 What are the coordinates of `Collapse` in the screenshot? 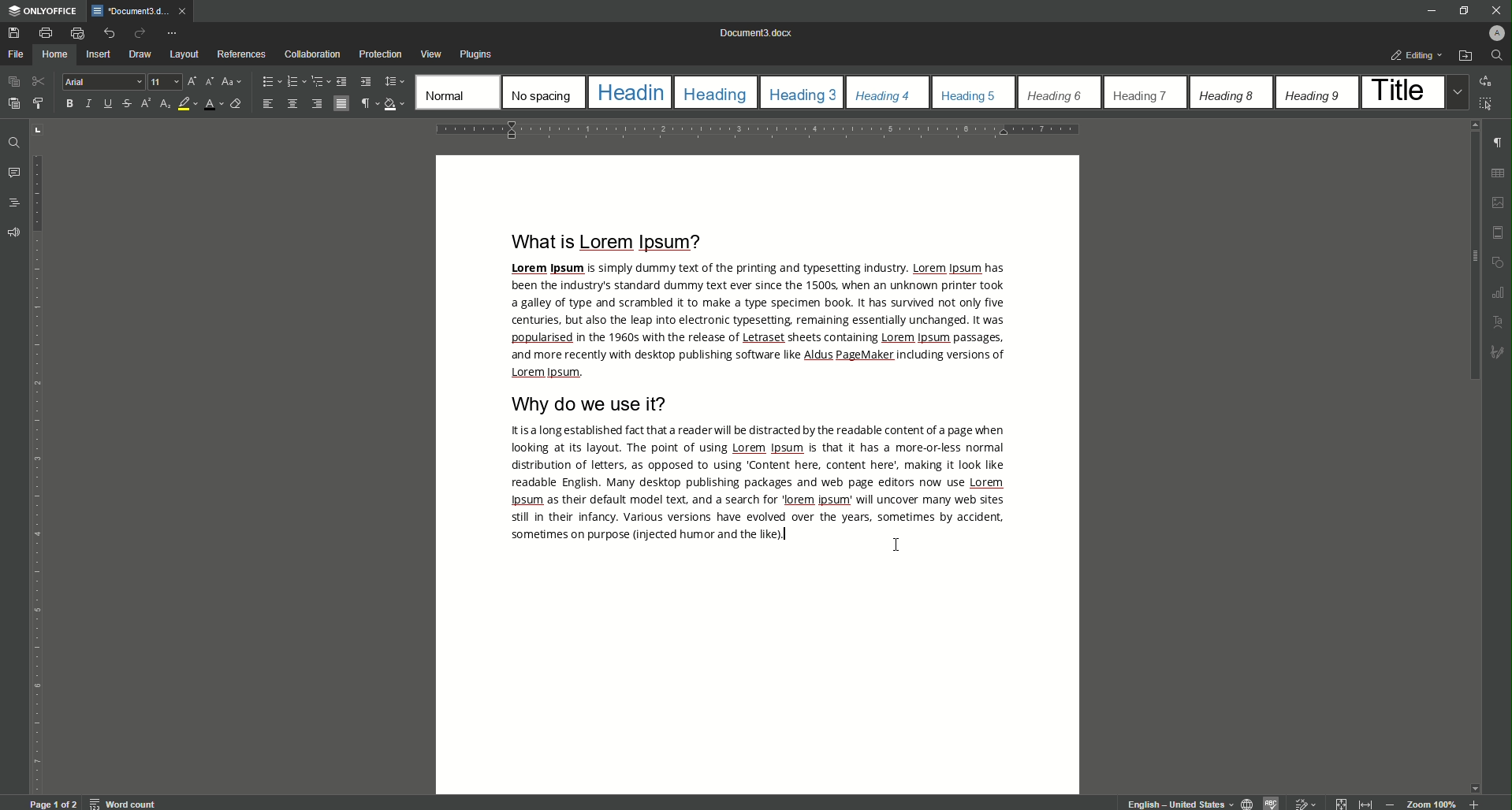 It's located at (1339, 803).